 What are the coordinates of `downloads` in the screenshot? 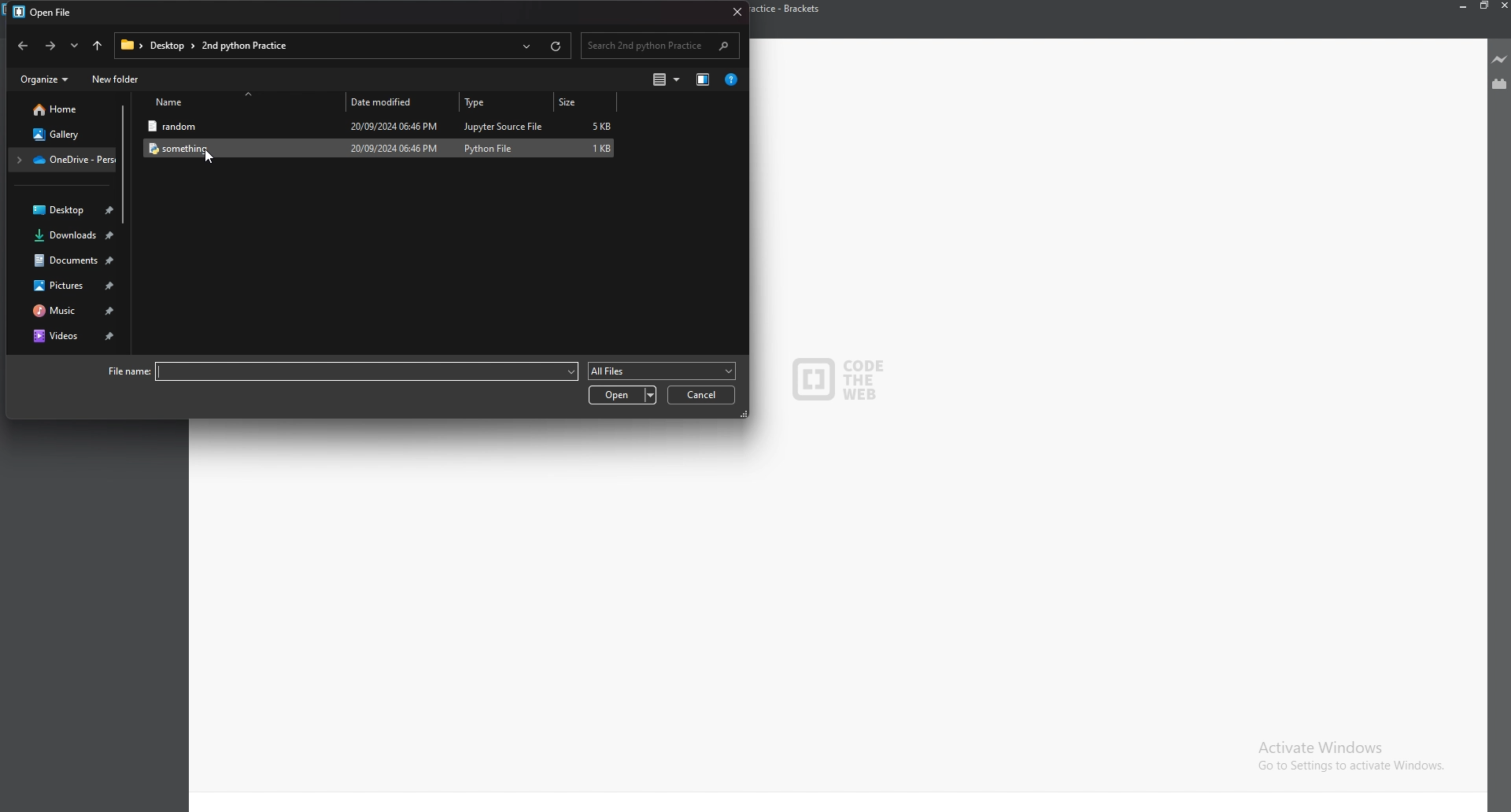 It's located at (63, 236).